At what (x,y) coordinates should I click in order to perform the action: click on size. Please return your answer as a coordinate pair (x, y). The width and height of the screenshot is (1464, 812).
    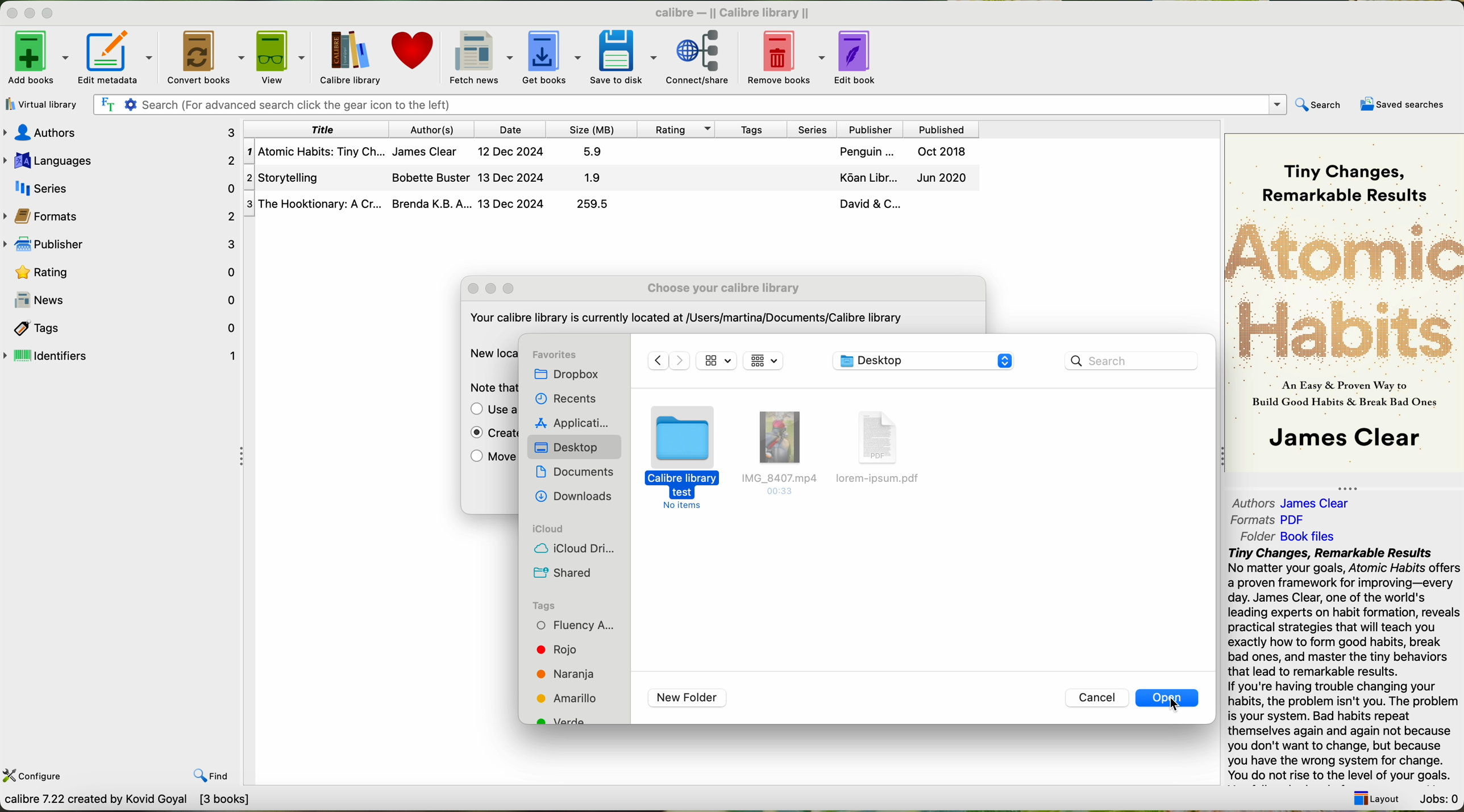
    Looking at the image, I should click on (590, 129).